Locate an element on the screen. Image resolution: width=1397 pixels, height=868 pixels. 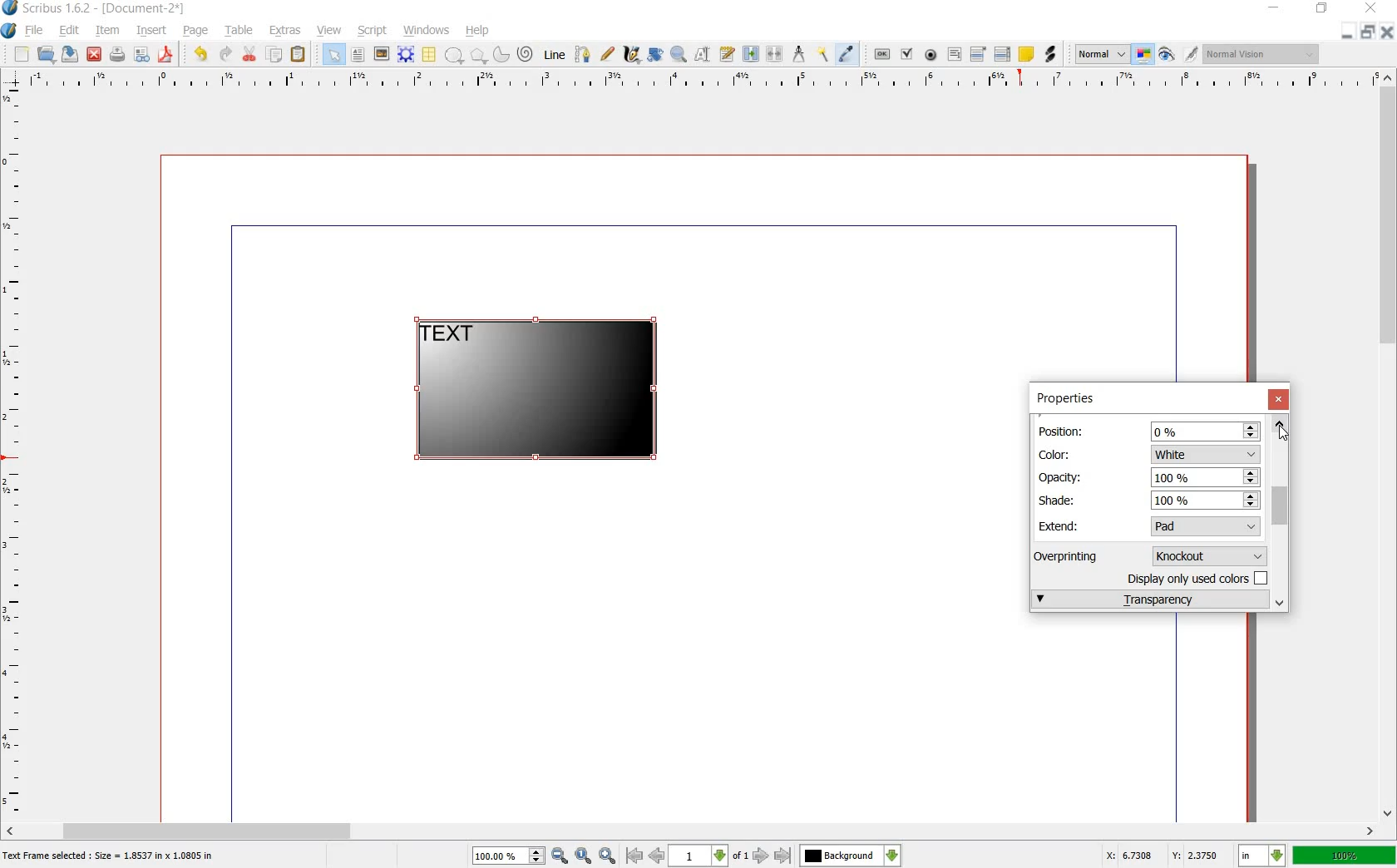
help is located at coordinates (478, 31).